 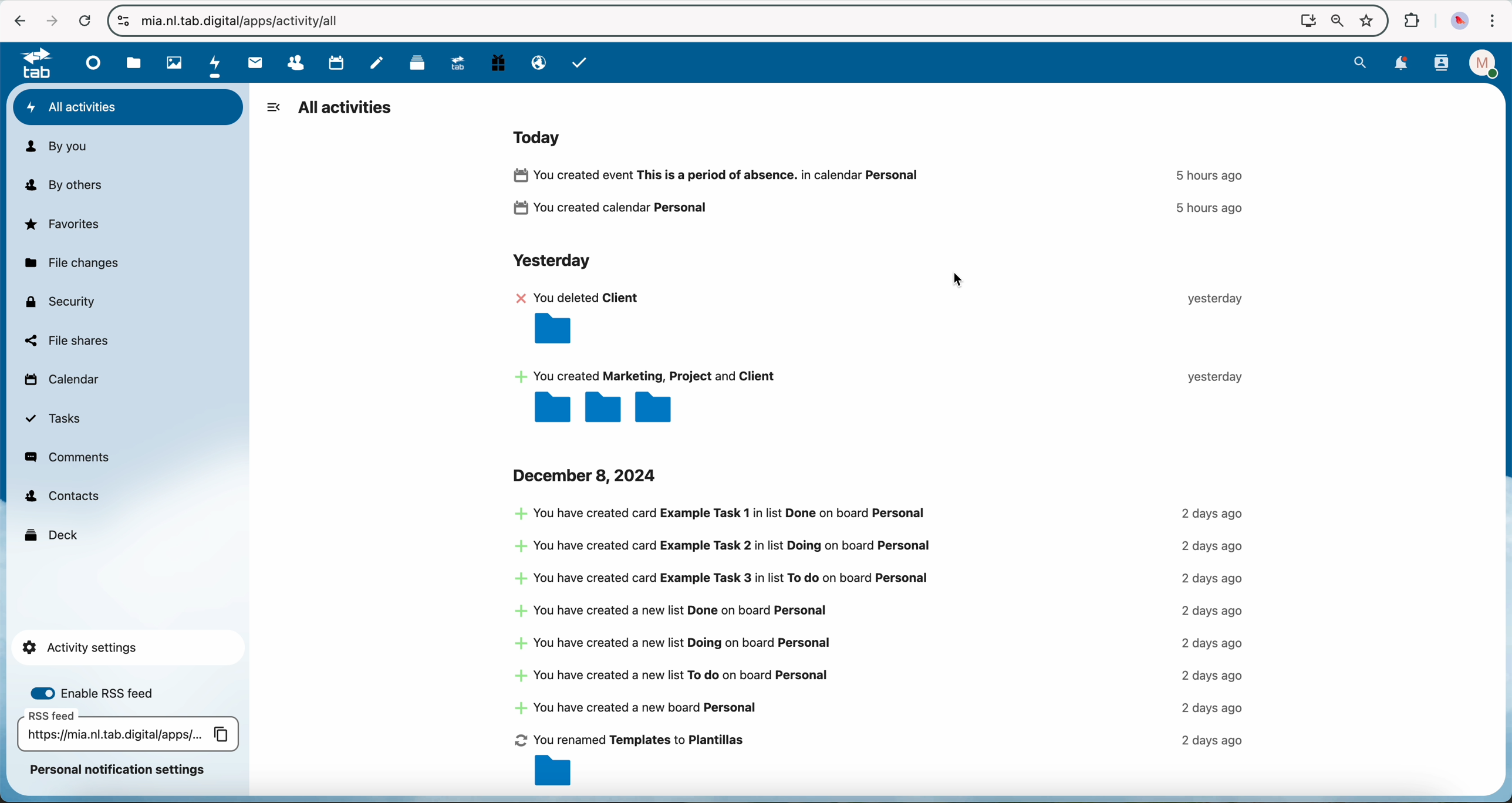 What do you see at coordinates (1306, 22) in the screenshot?
I see `Install Nextcloud` at bounding box center [1306, 22].